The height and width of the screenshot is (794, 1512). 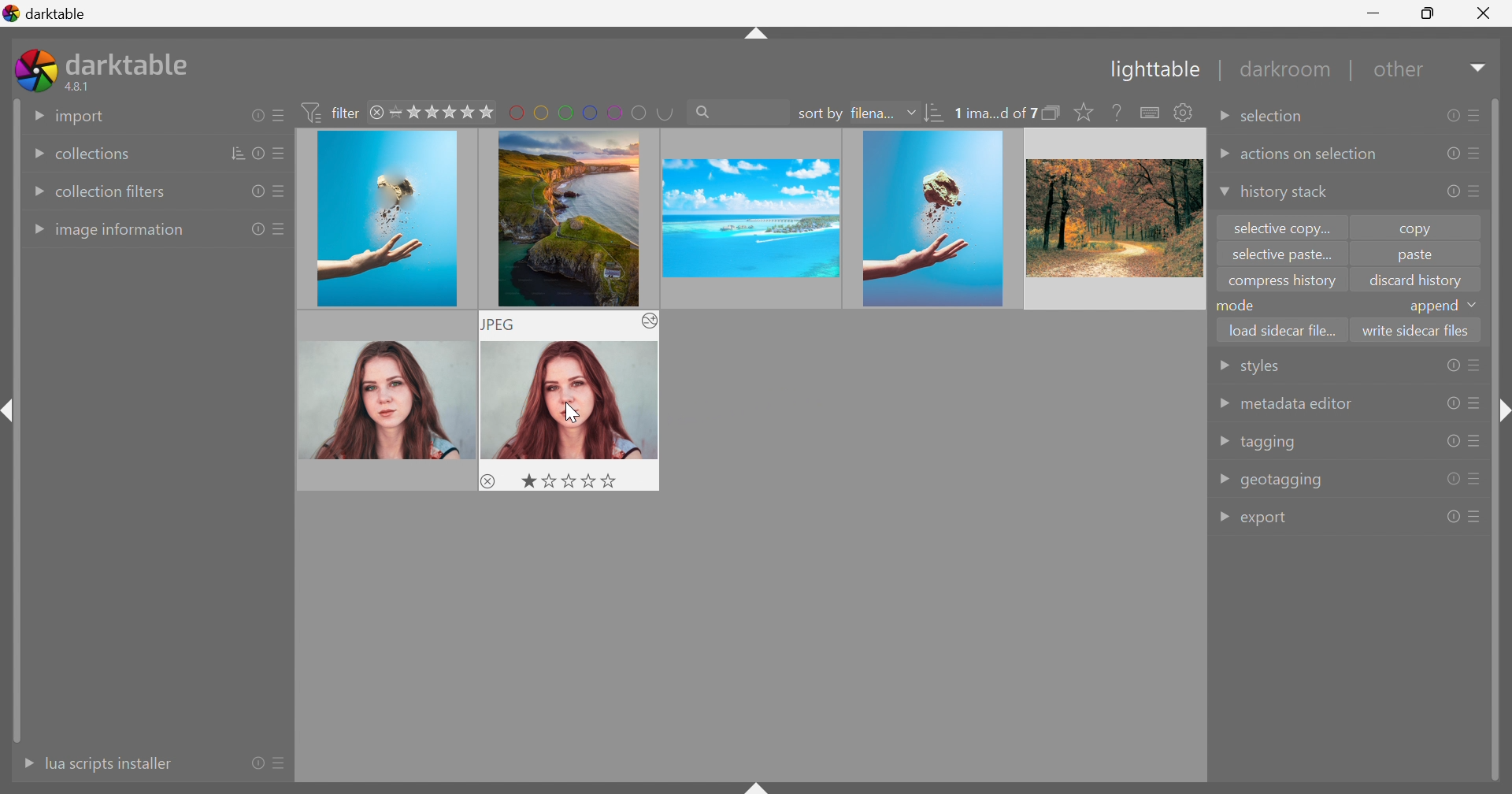 I want to click on Drop Down, so click(x=1224, y=441).